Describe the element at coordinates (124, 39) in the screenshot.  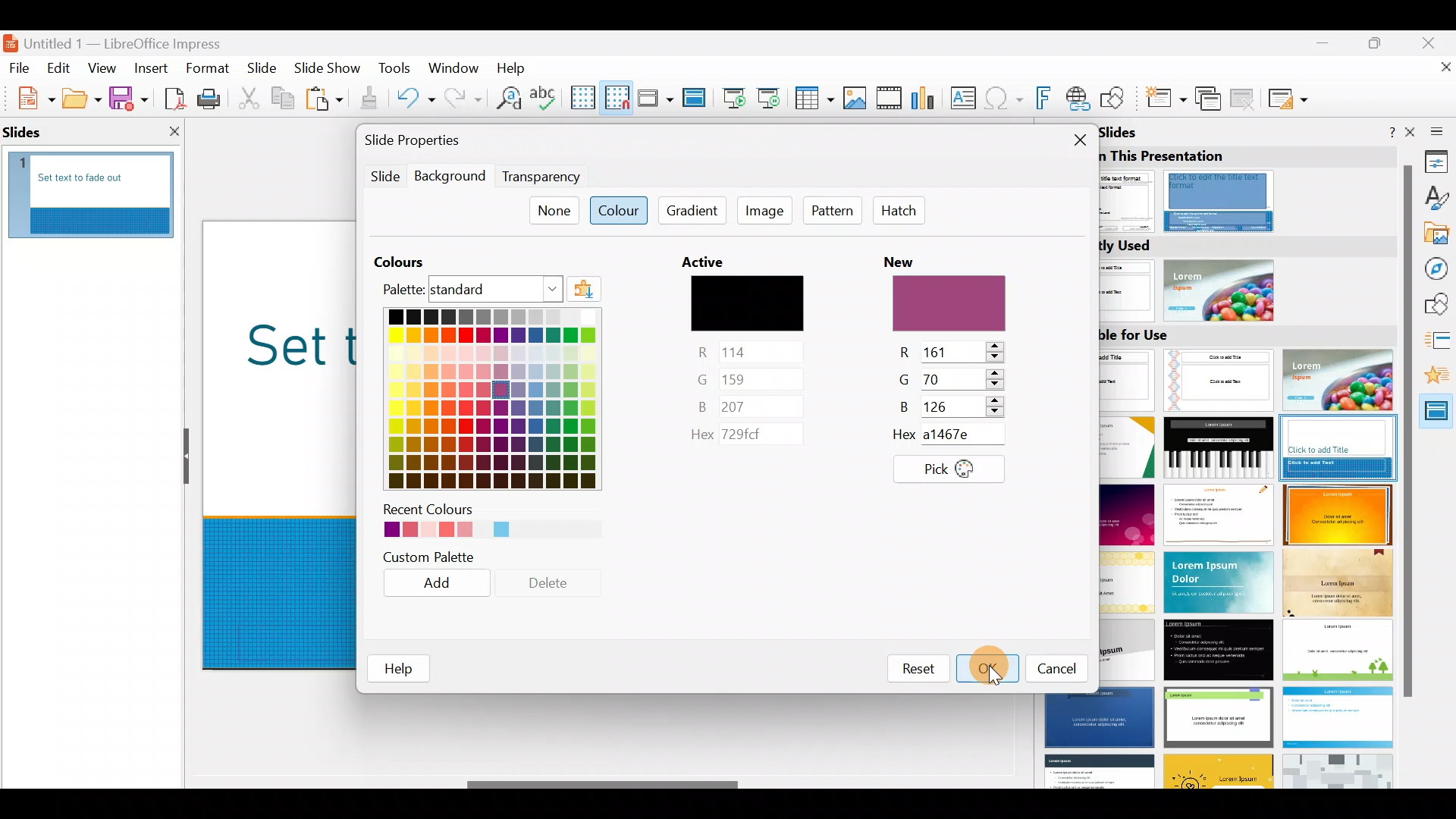
I see `Document name` at that location.